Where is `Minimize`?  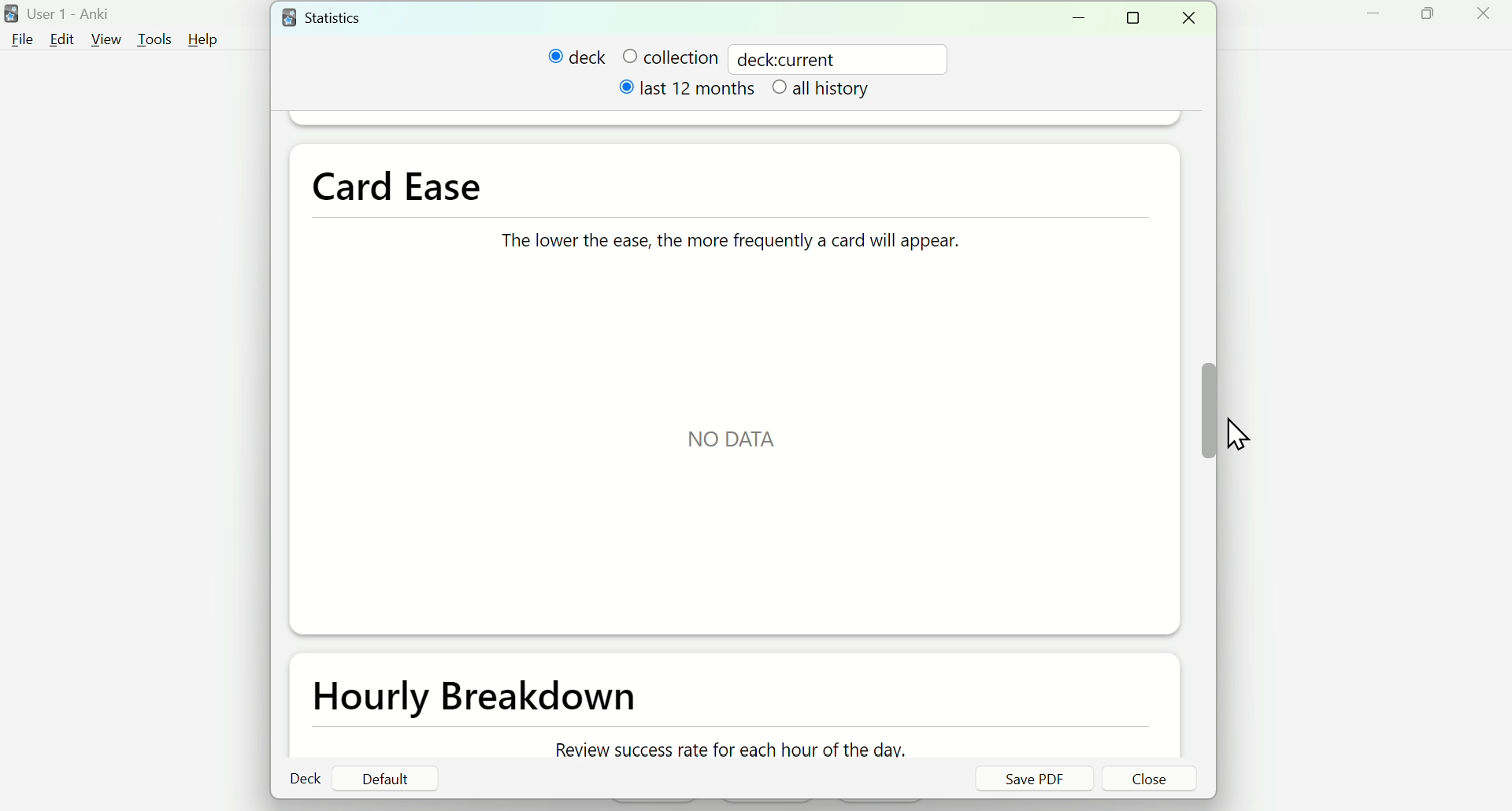
Minimize is located at coordinates (1370, 20).